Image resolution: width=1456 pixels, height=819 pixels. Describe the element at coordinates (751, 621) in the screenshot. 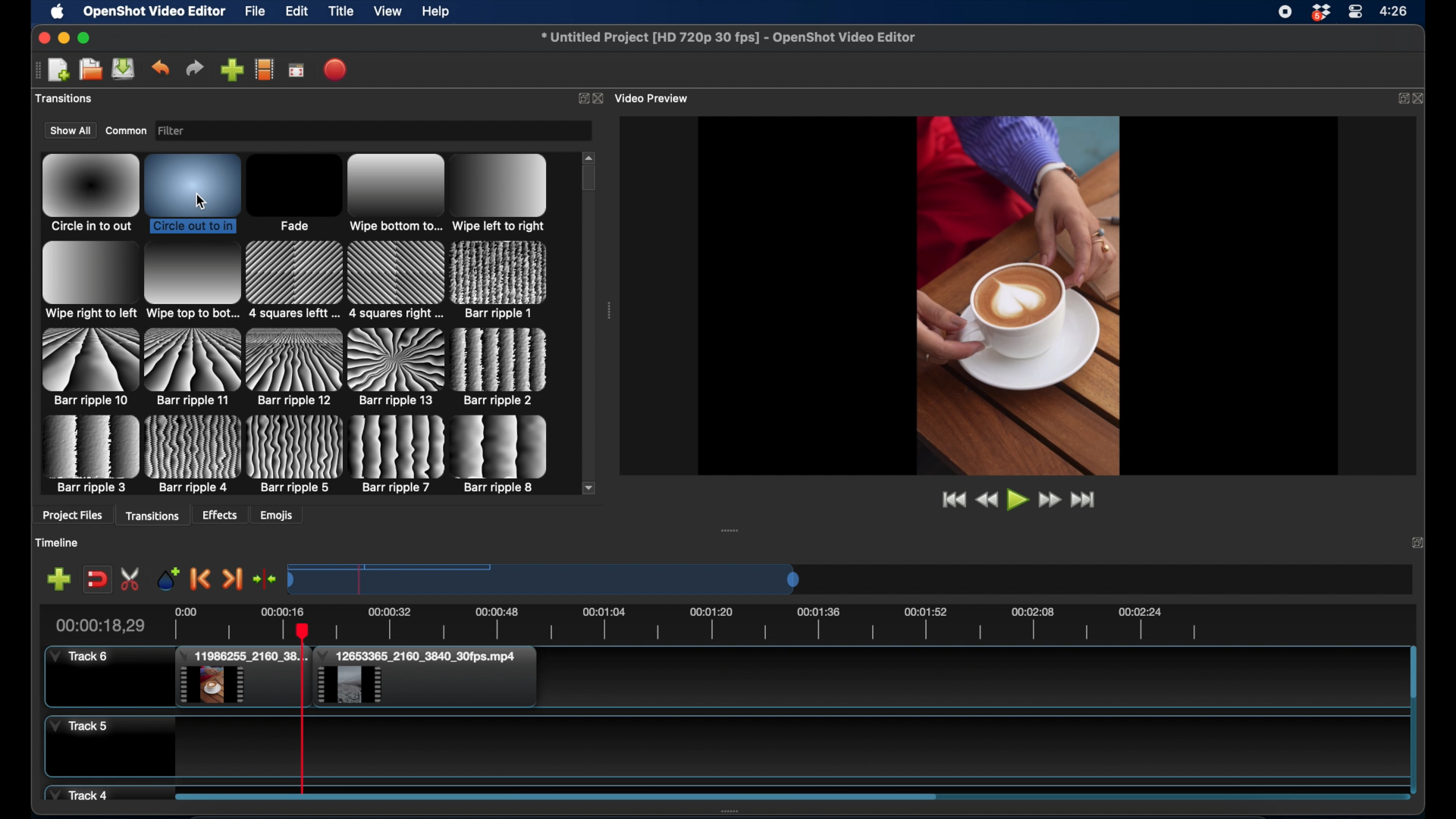

I see `timeline` at that location.